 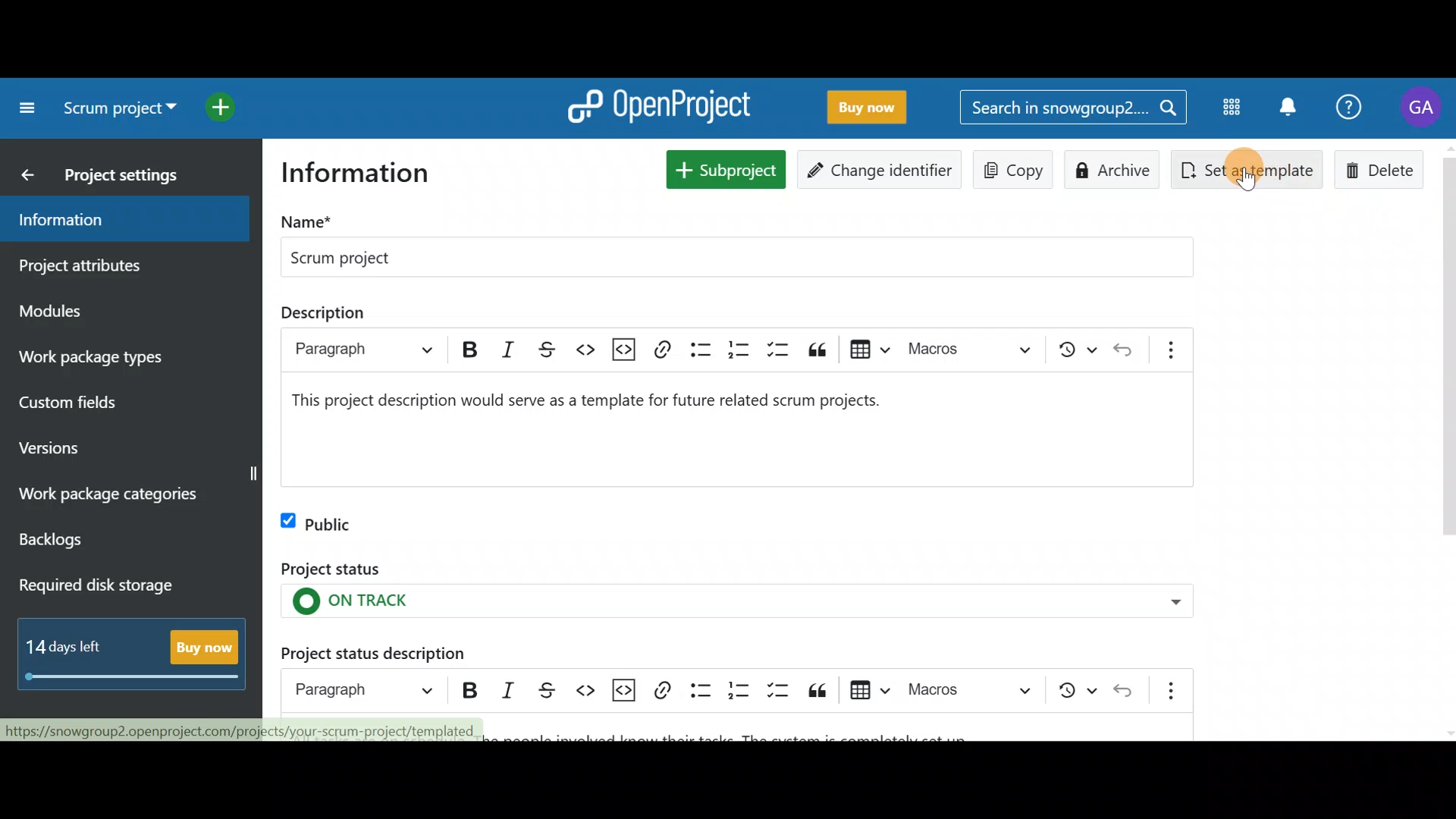 I want to click on Numbered list, so click(x=737, y=690).